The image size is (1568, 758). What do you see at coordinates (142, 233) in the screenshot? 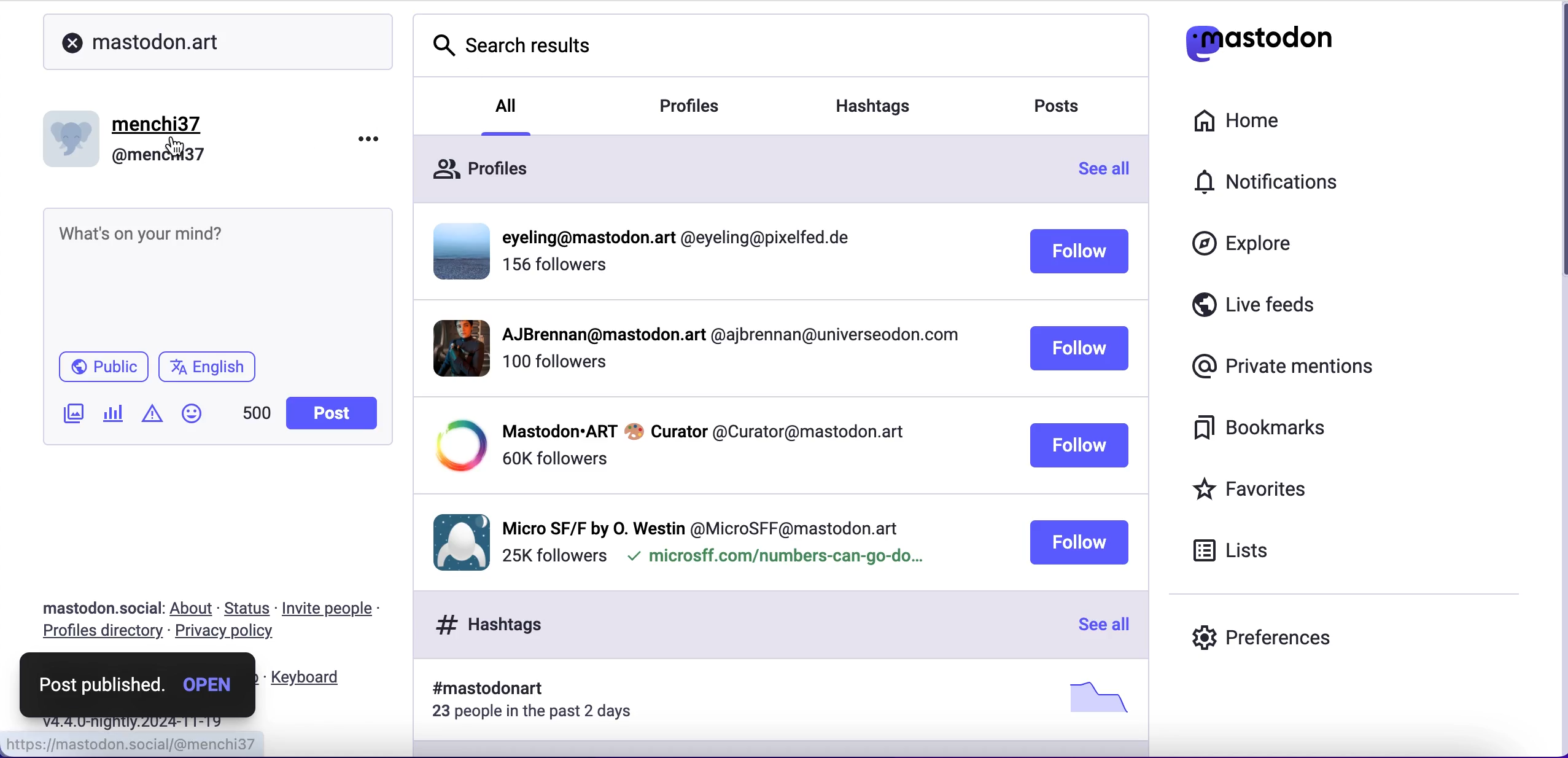
I see `text post` at bounding box center [142, 233].